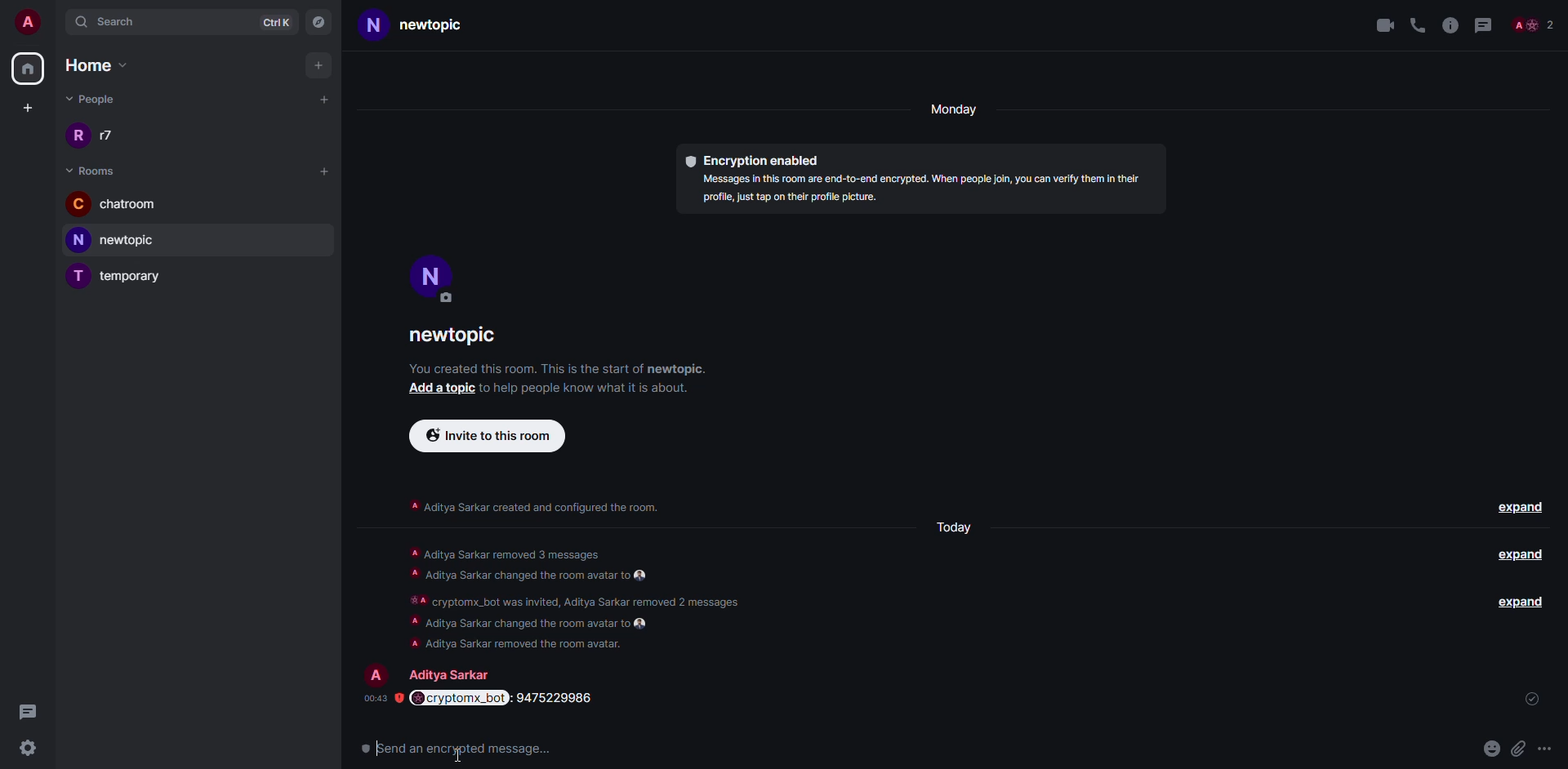  What do you see at coordinates (373, 669) in the screenshot?
I see `profile` at bounding box center [373, 669].